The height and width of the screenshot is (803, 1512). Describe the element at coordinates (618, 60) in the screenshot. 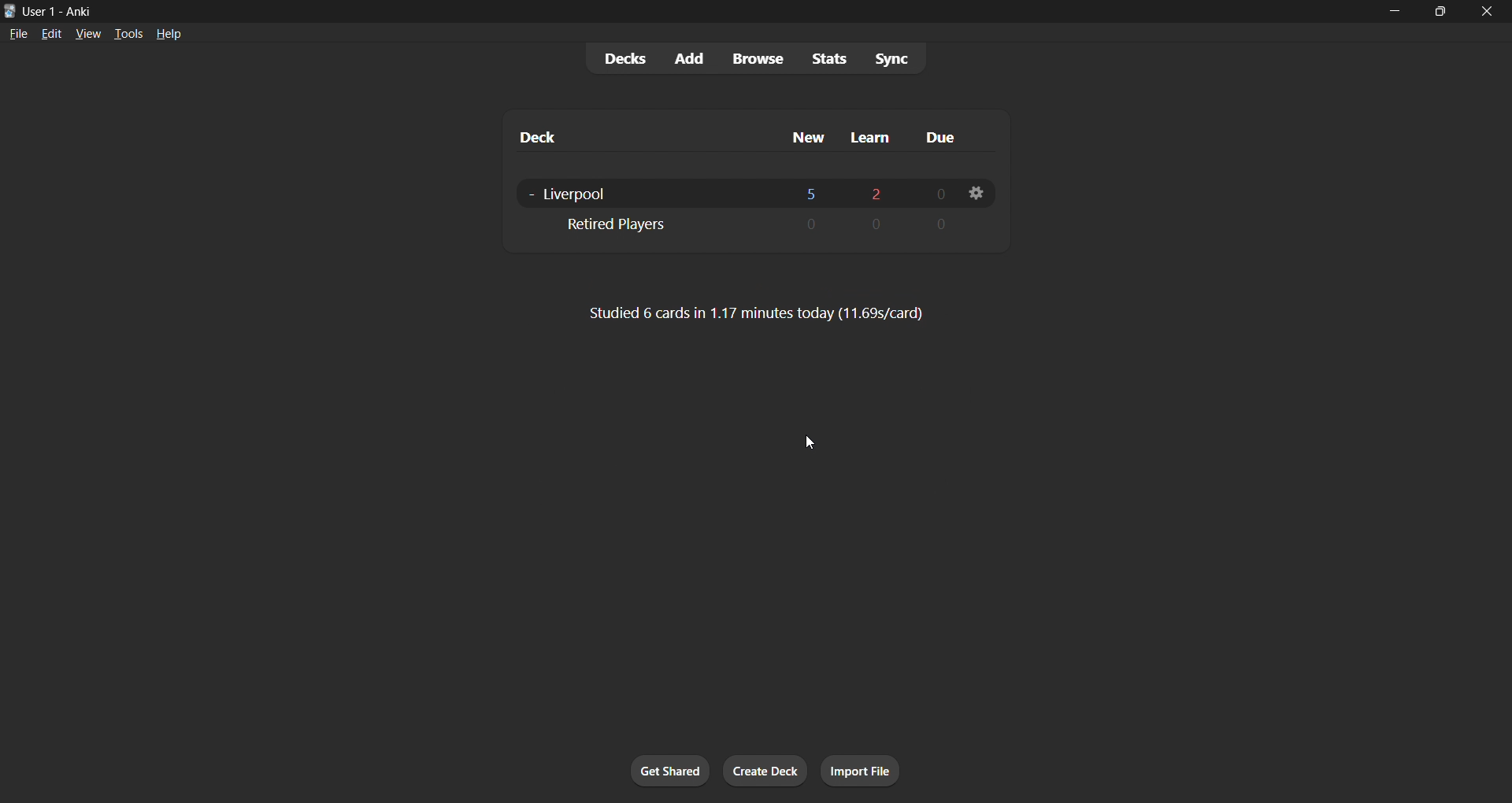

I see `decks` at that location.